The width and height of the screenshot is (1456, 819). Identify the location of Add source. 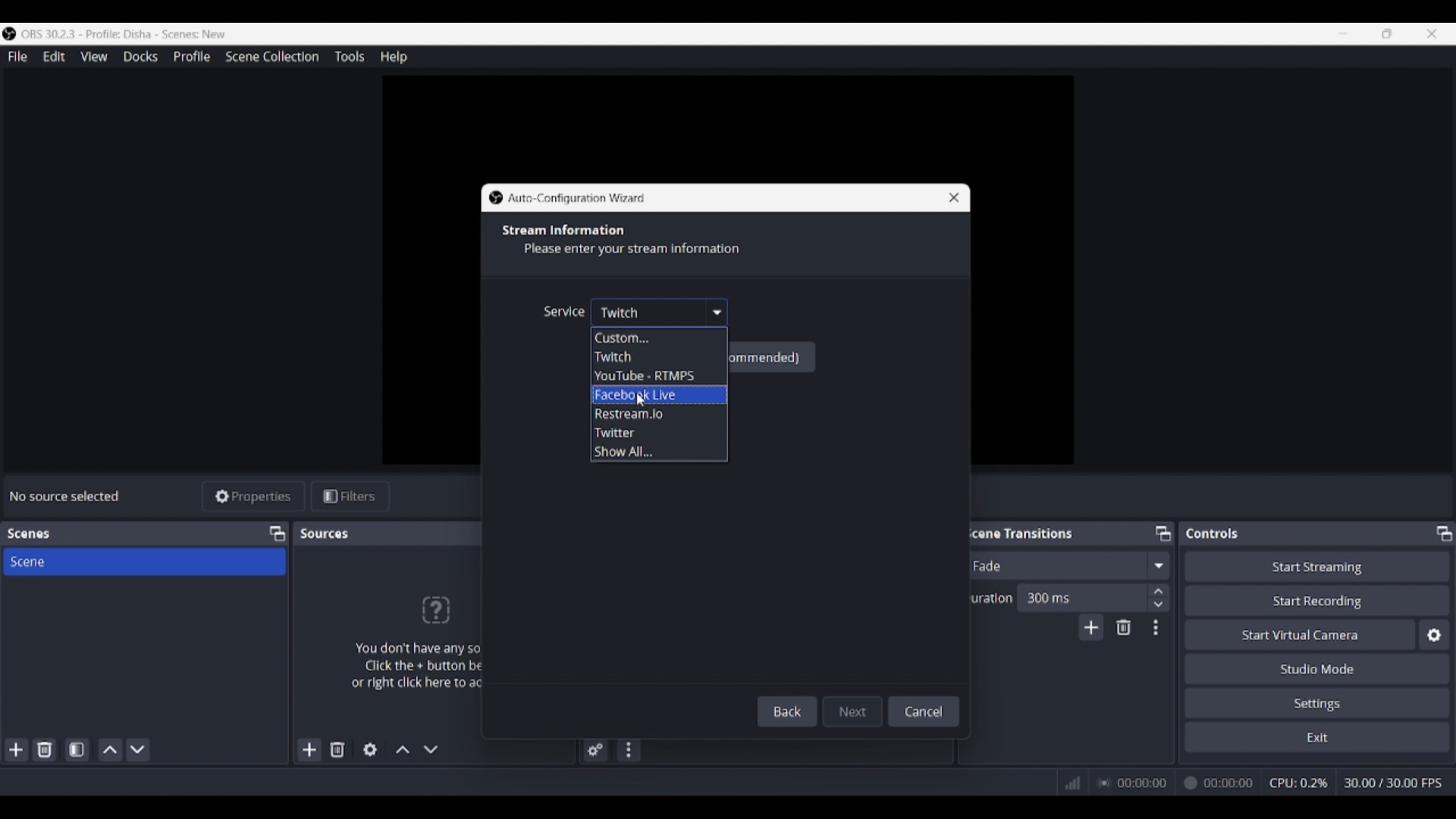
(310, 749).